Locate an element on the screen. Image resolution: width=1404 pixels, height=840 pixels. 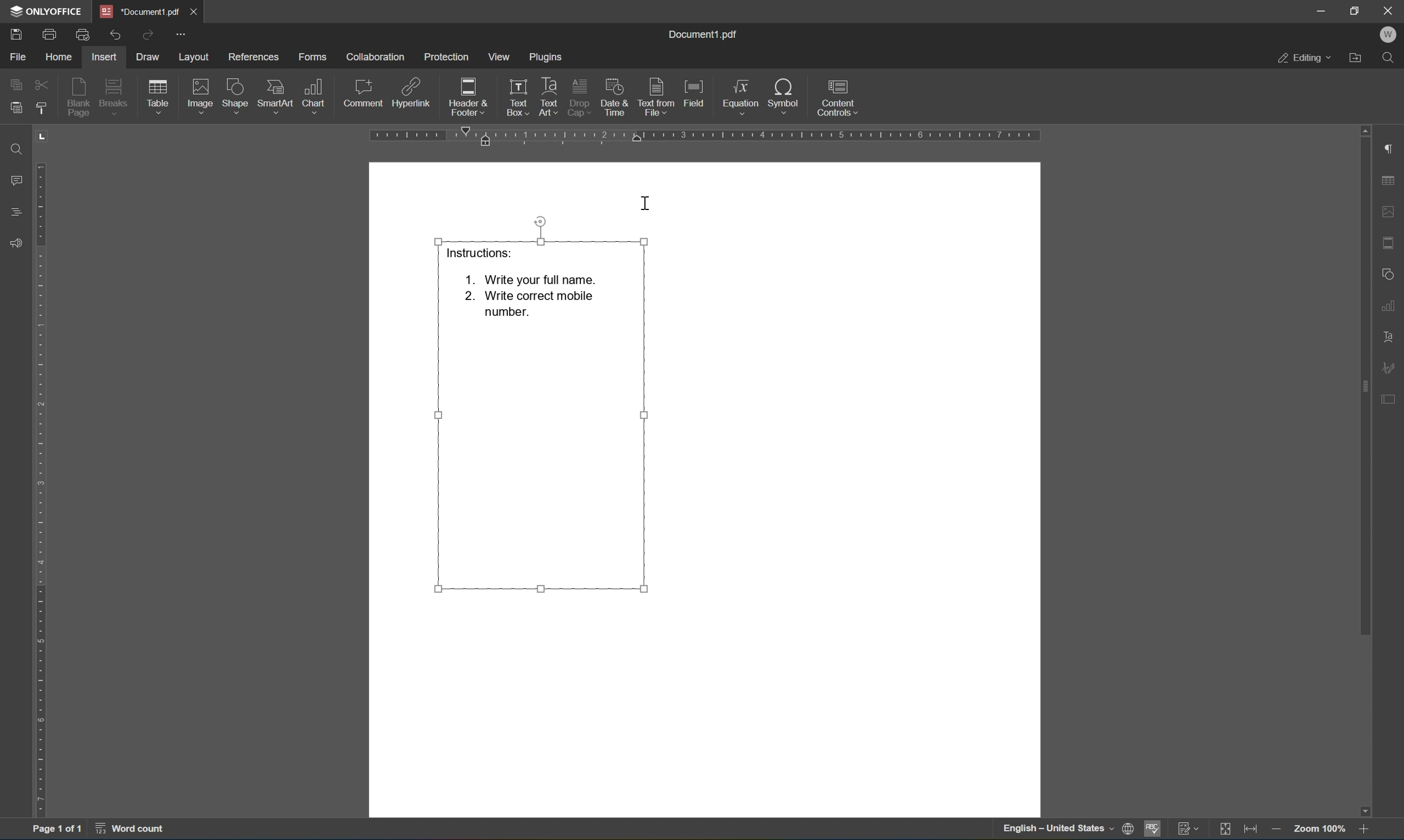
instructions is located at coordinates (476, 251).